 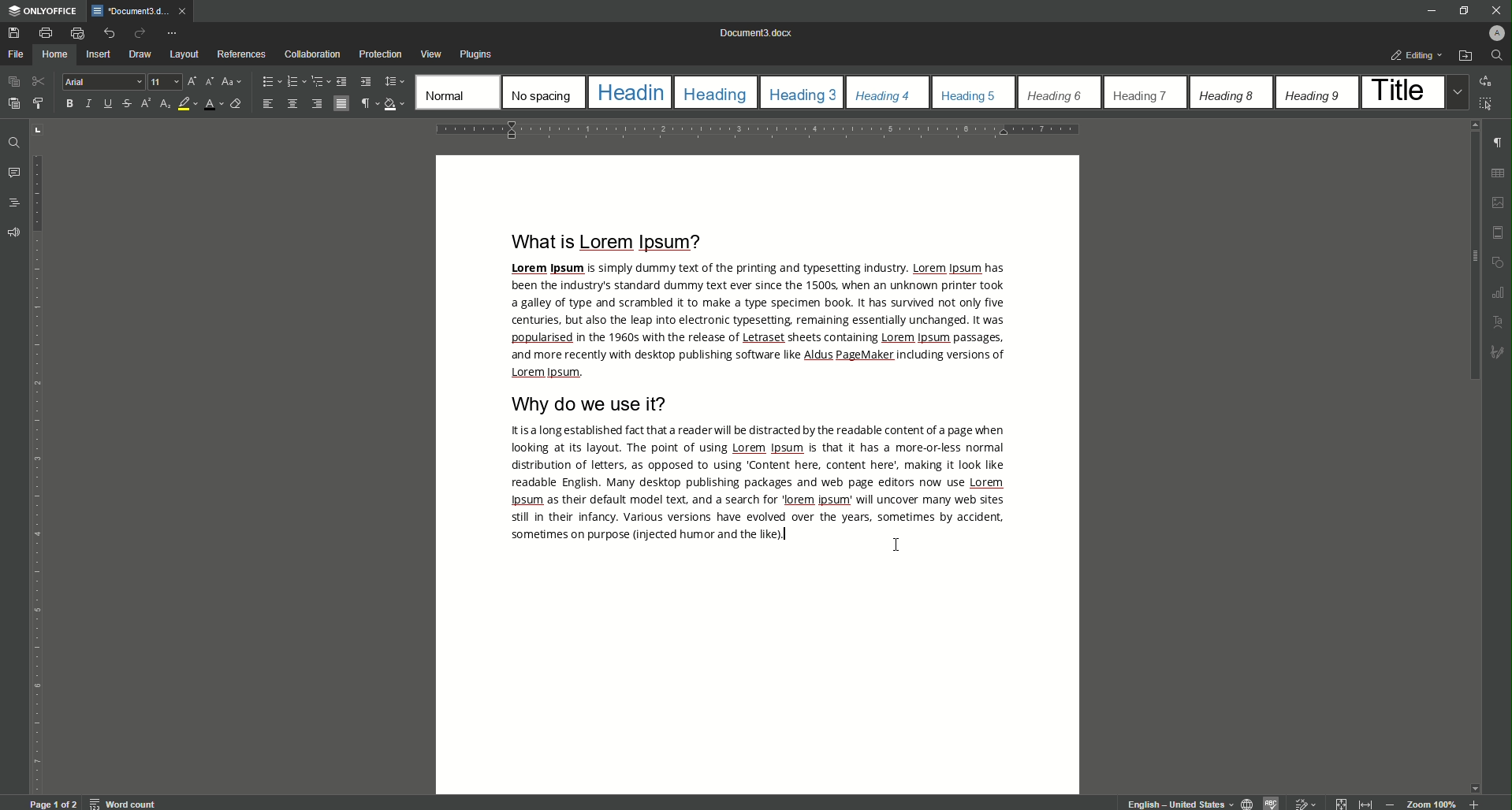 I want to click on Quick Print, so click(x=73, y=32).